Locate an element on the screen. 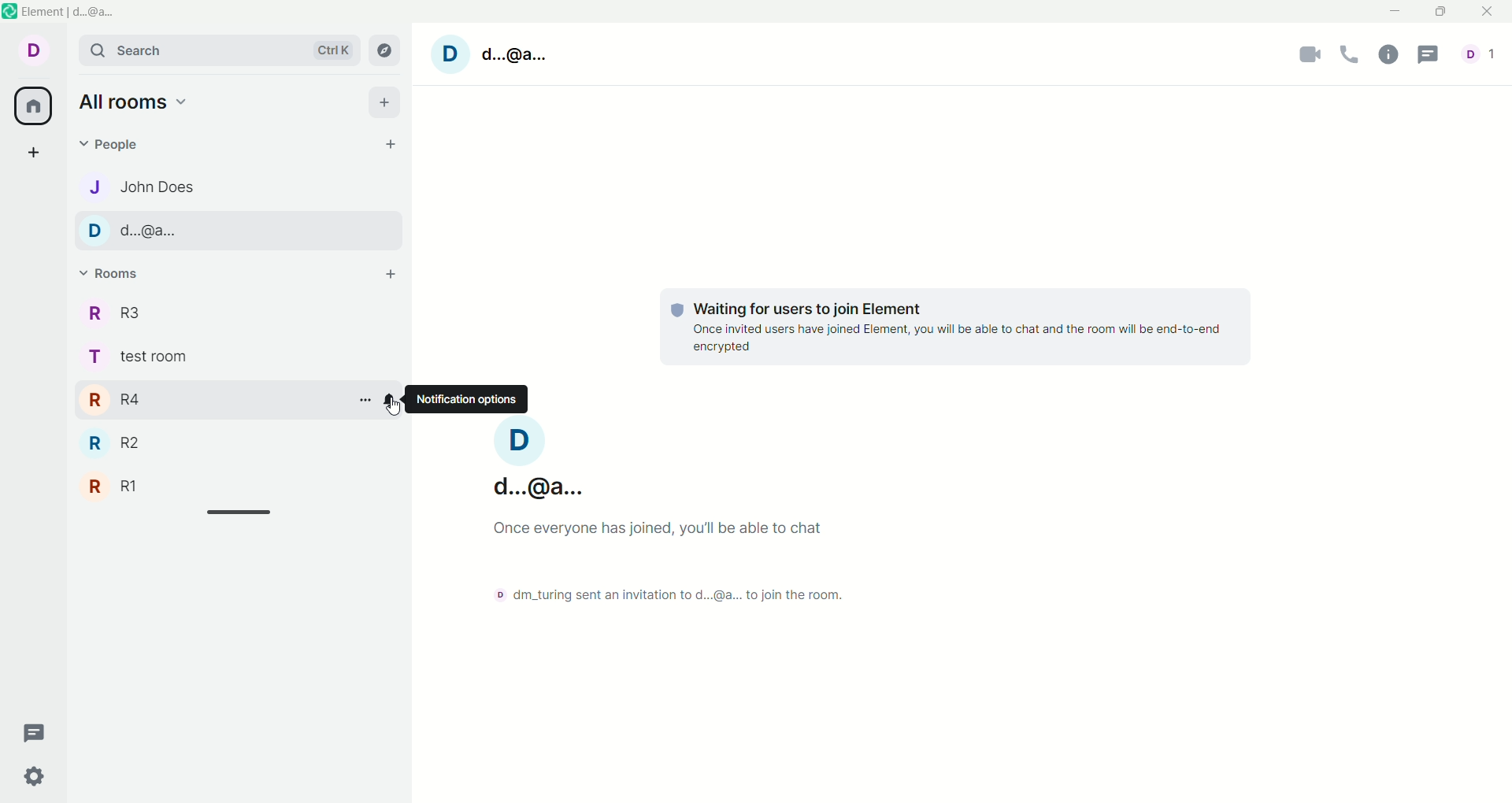  thread is located at coordinates (35, 732).